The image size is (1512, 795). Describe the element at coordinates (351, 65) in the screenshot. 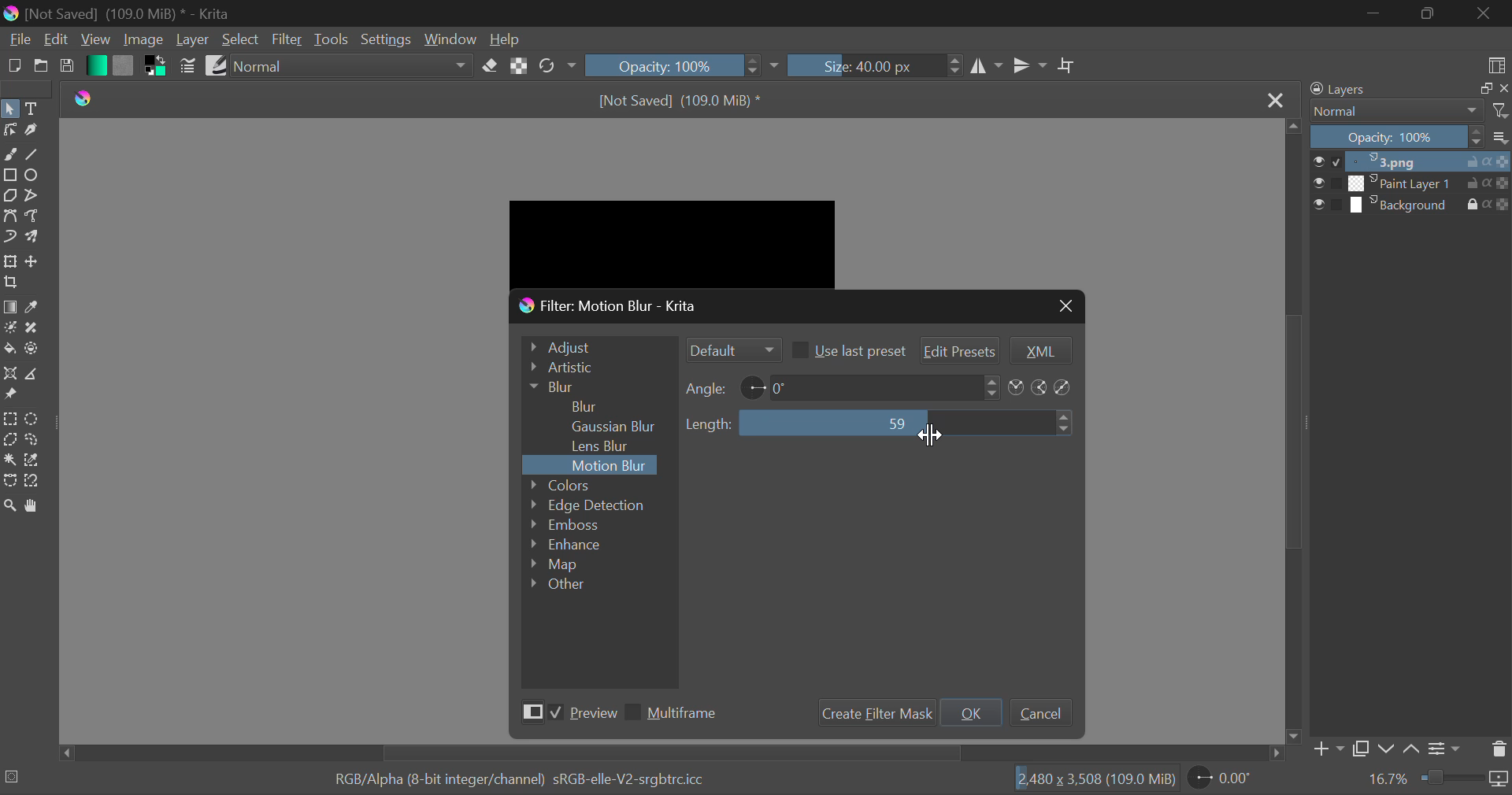

I see `normal` at that location.